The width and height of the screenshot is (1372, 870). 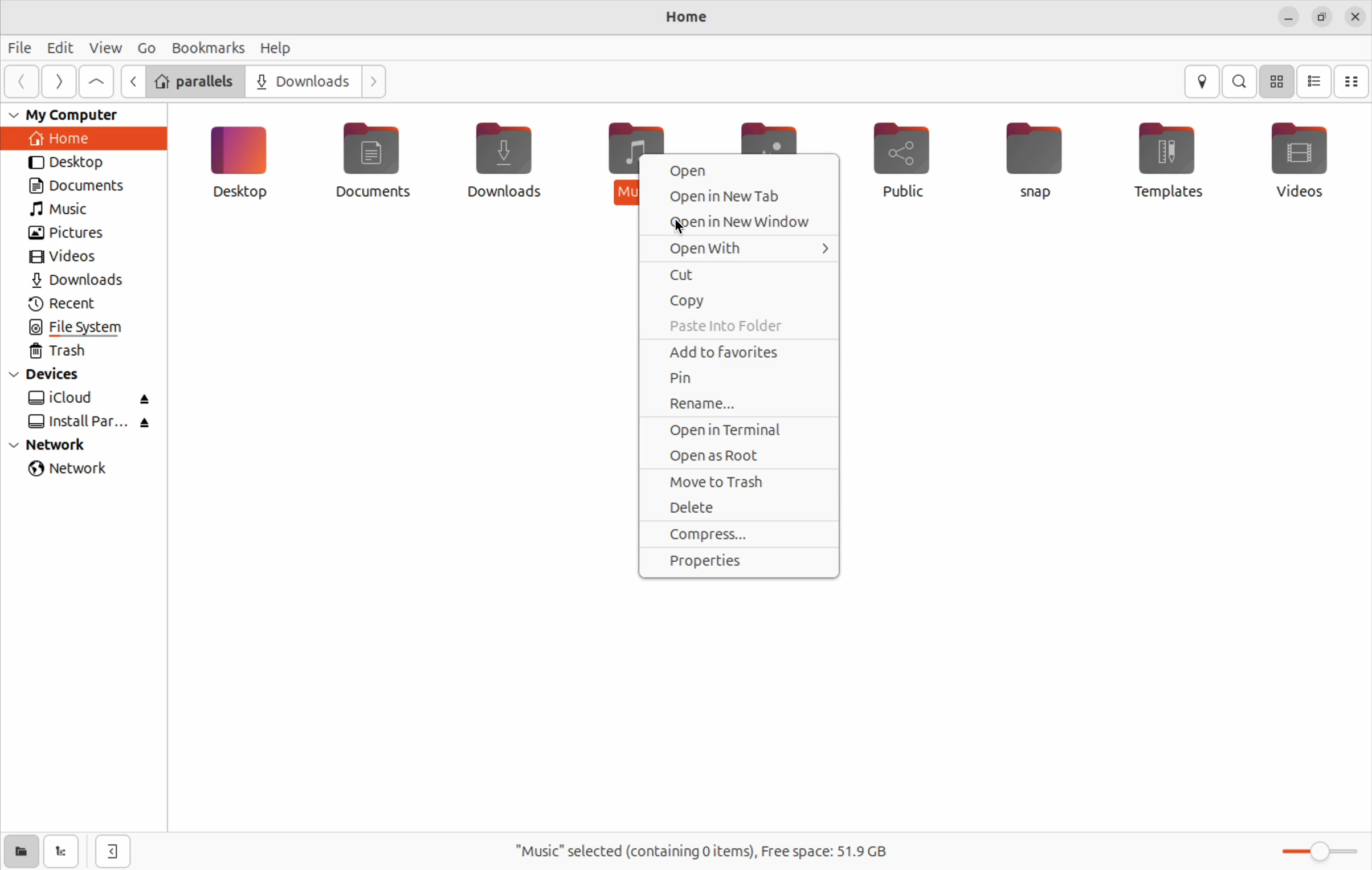 What do you see at coordinates (744, 197) in the screenshot?
I see `open new tab` at bounding box center [744, 197].